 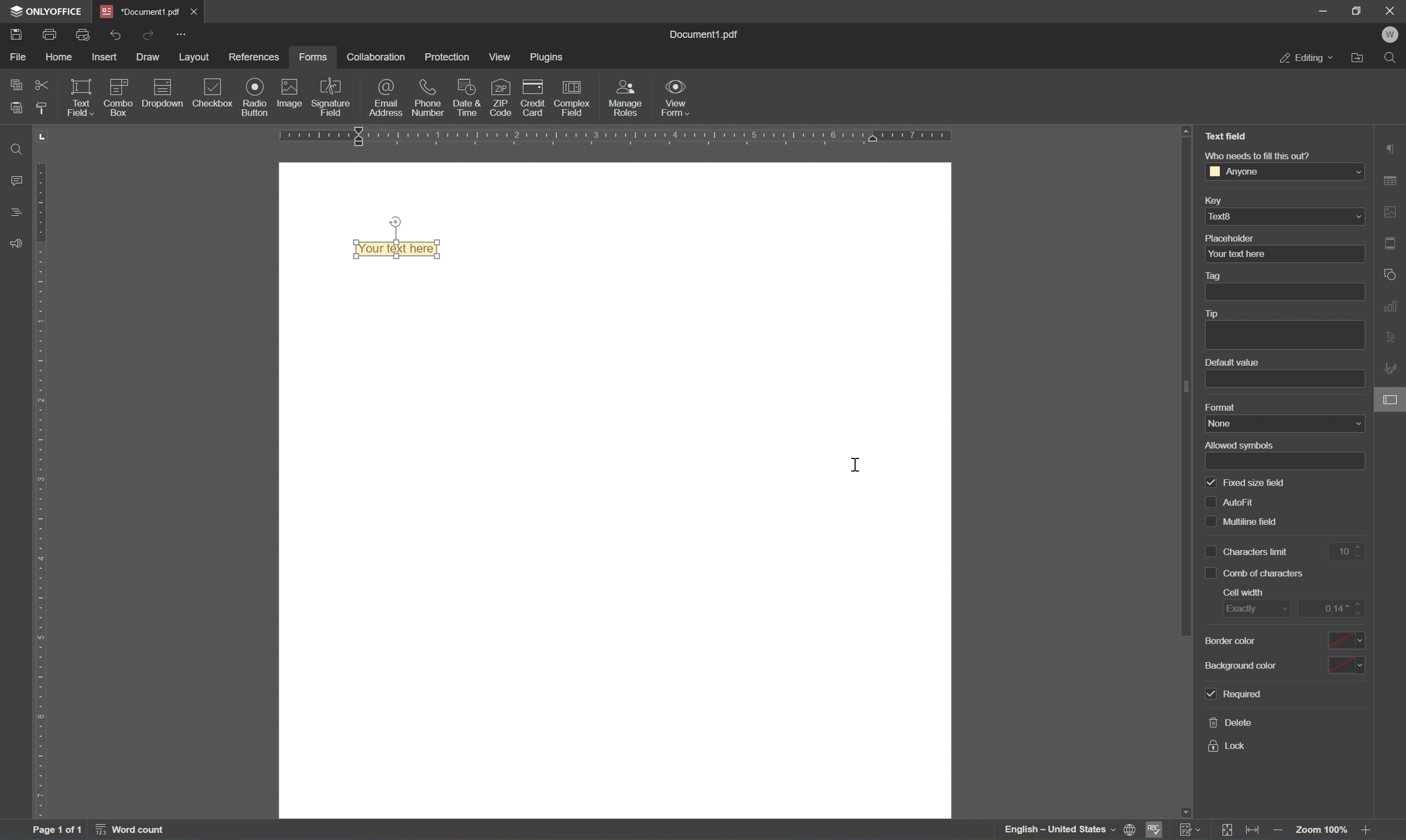 I want to click on multiline field, so click(x=1261, y=523).